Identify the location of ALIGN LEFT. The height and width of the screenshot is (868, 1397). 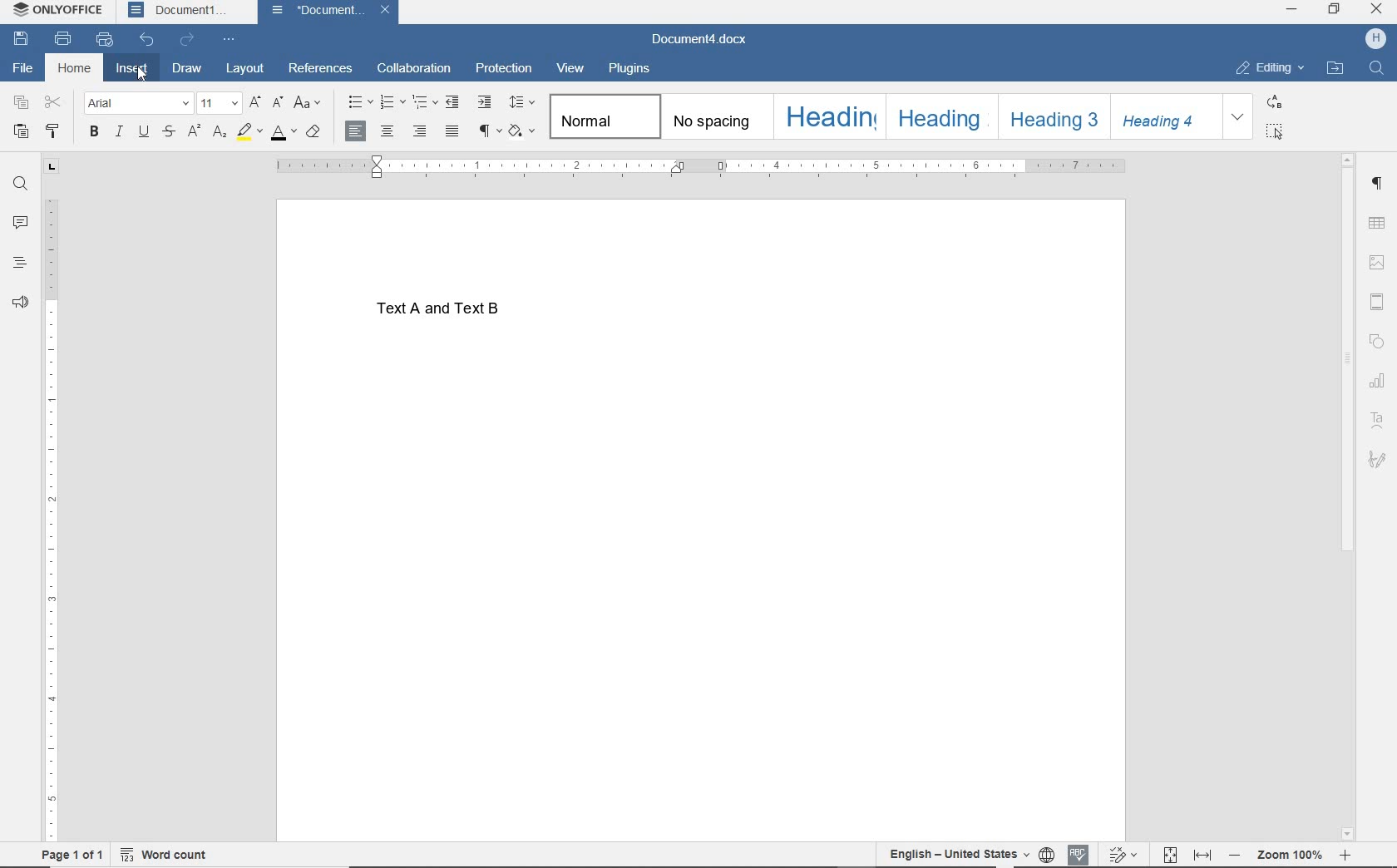
(356, 131).